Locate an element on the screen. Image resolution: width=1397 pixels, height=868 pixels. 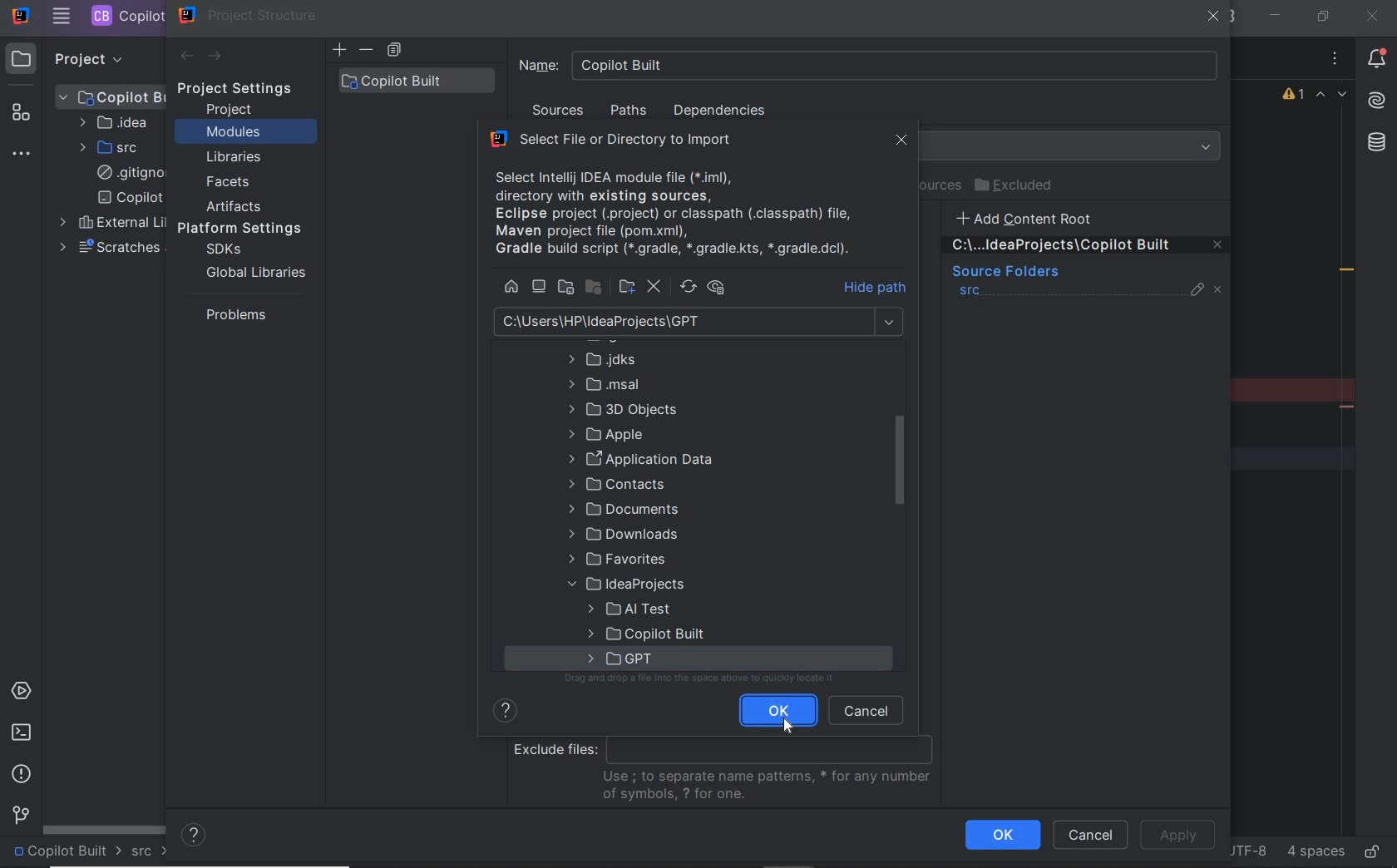
folder is located at coordinates (620, 359).